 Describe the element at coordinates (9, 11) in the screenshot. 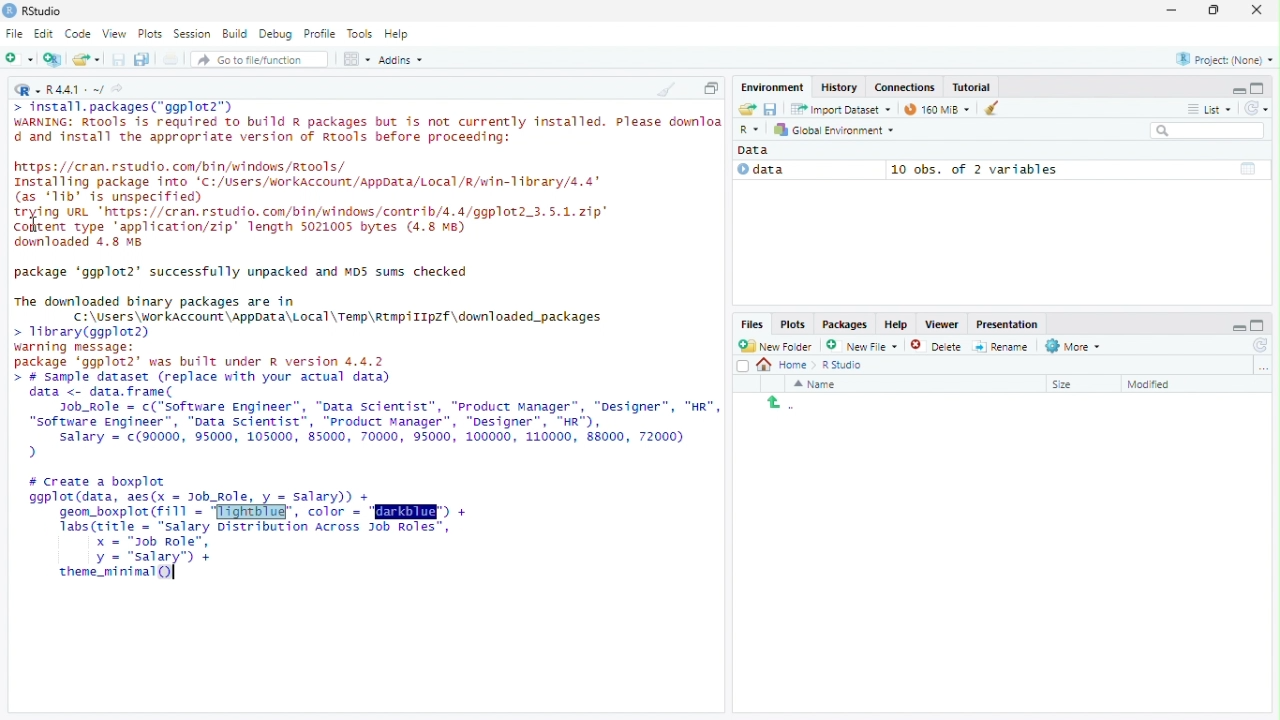

I see `Logo` at that location.